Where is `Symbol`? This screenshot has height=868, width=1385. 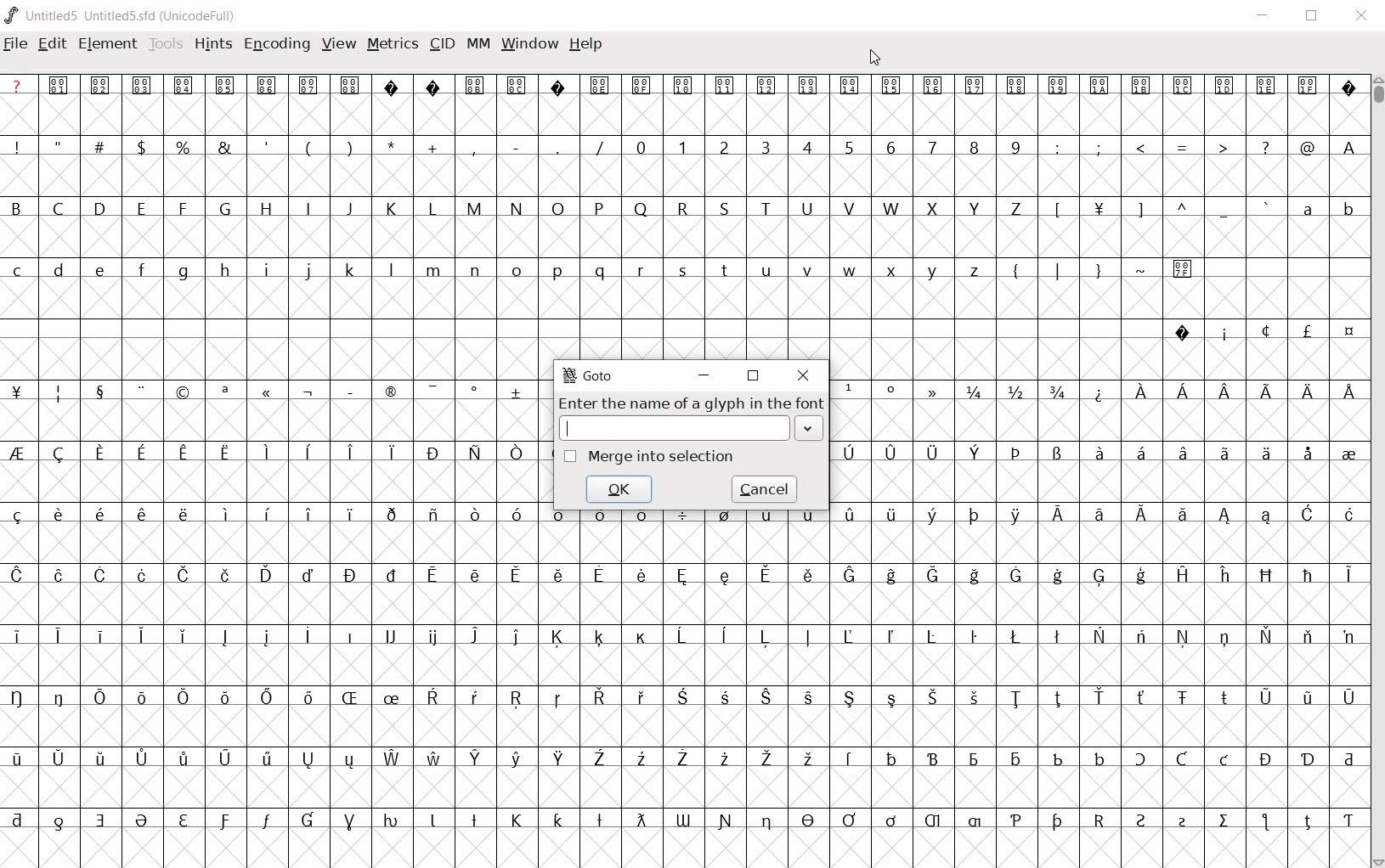 Symbol is located at coordinates (393, 86).